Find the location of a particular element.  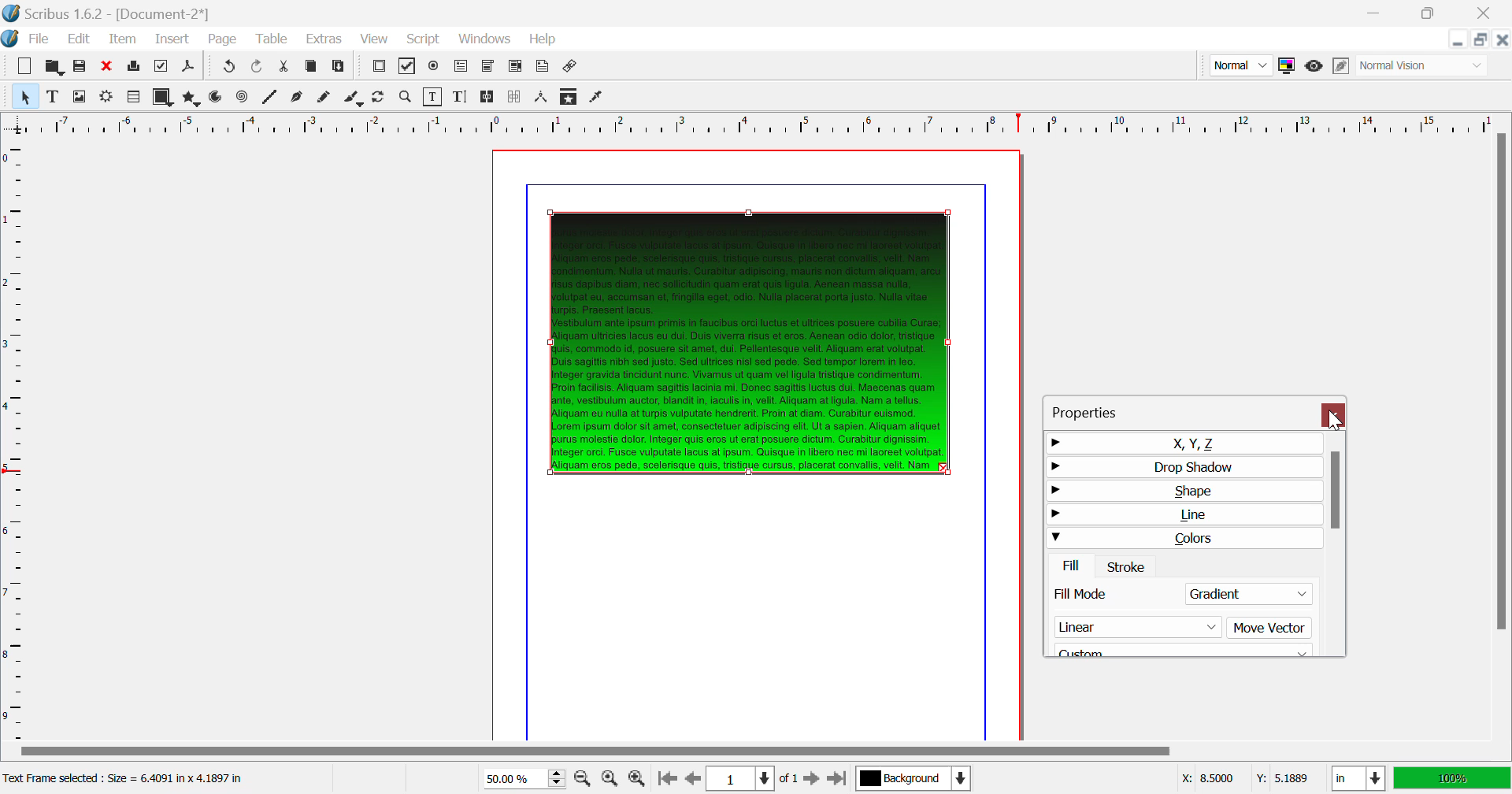

Text Annotation is located at coordinates (542, 68).